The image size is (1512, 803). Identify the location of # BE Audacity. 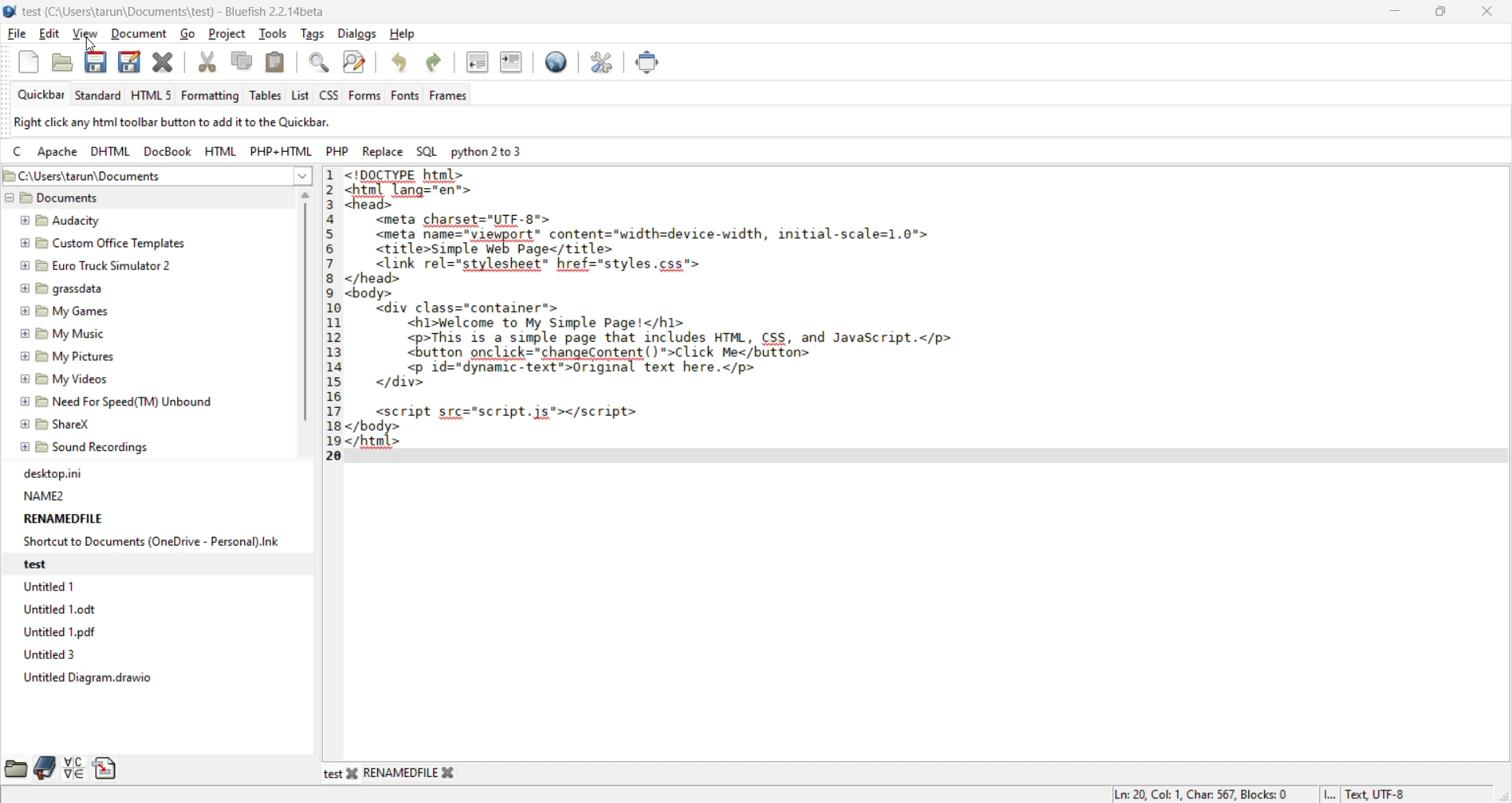
(61, 221).